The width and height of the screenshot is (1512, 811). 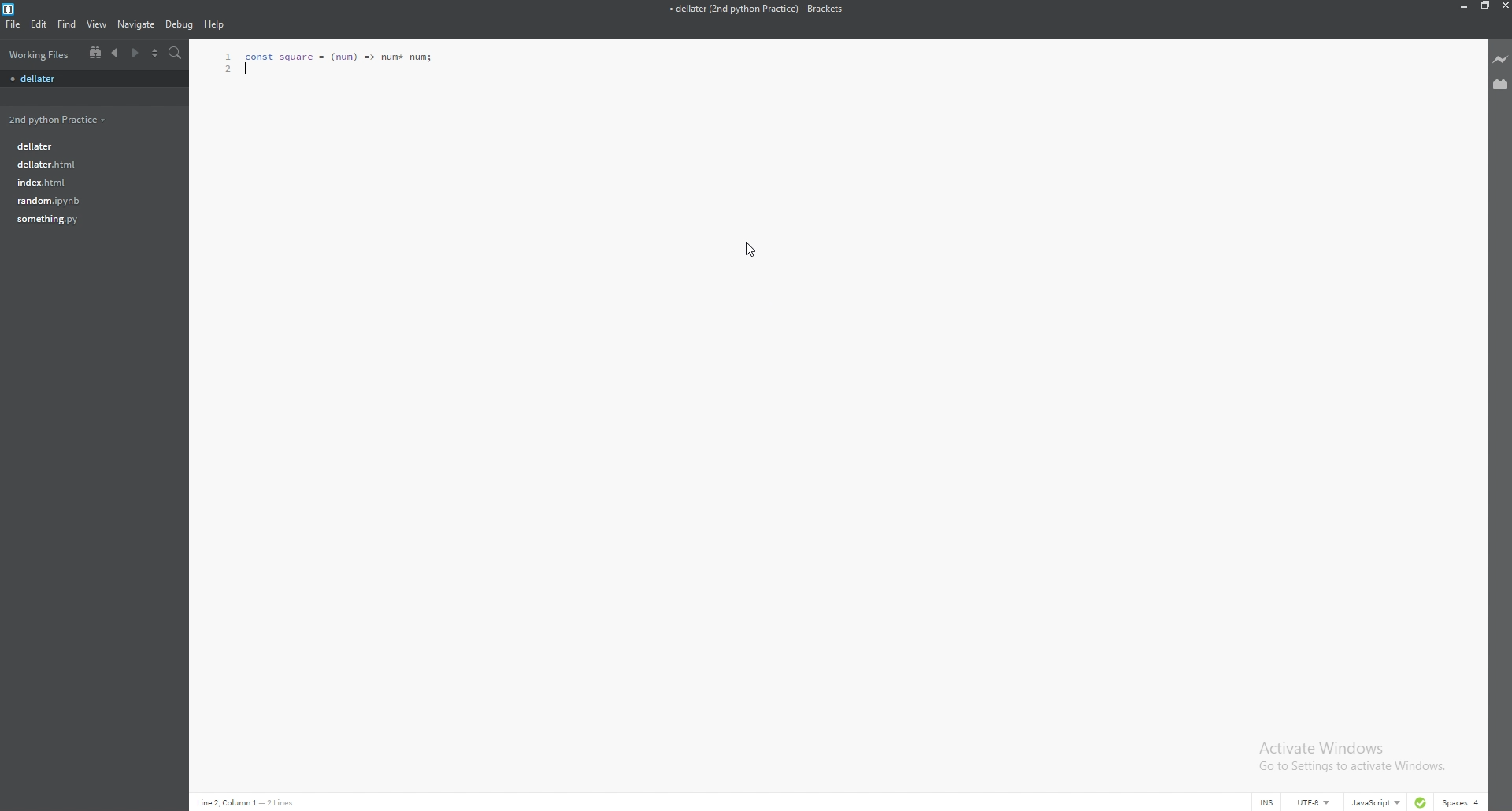 I want to click on line, so click(x=243, y=68).